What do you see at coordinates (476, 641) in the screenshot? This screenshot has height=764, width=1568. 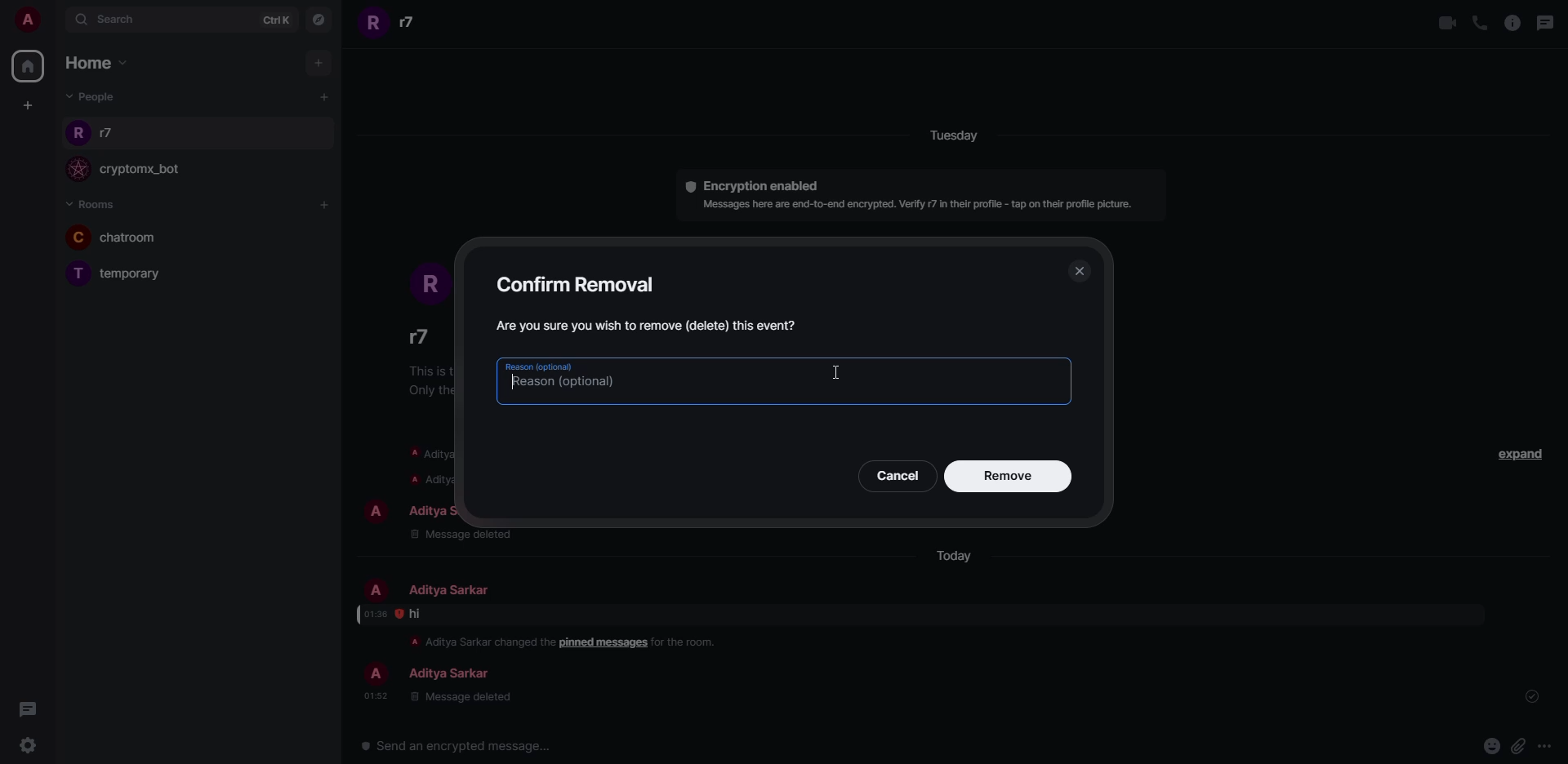 I see `info` at bounding box center [476, 641].